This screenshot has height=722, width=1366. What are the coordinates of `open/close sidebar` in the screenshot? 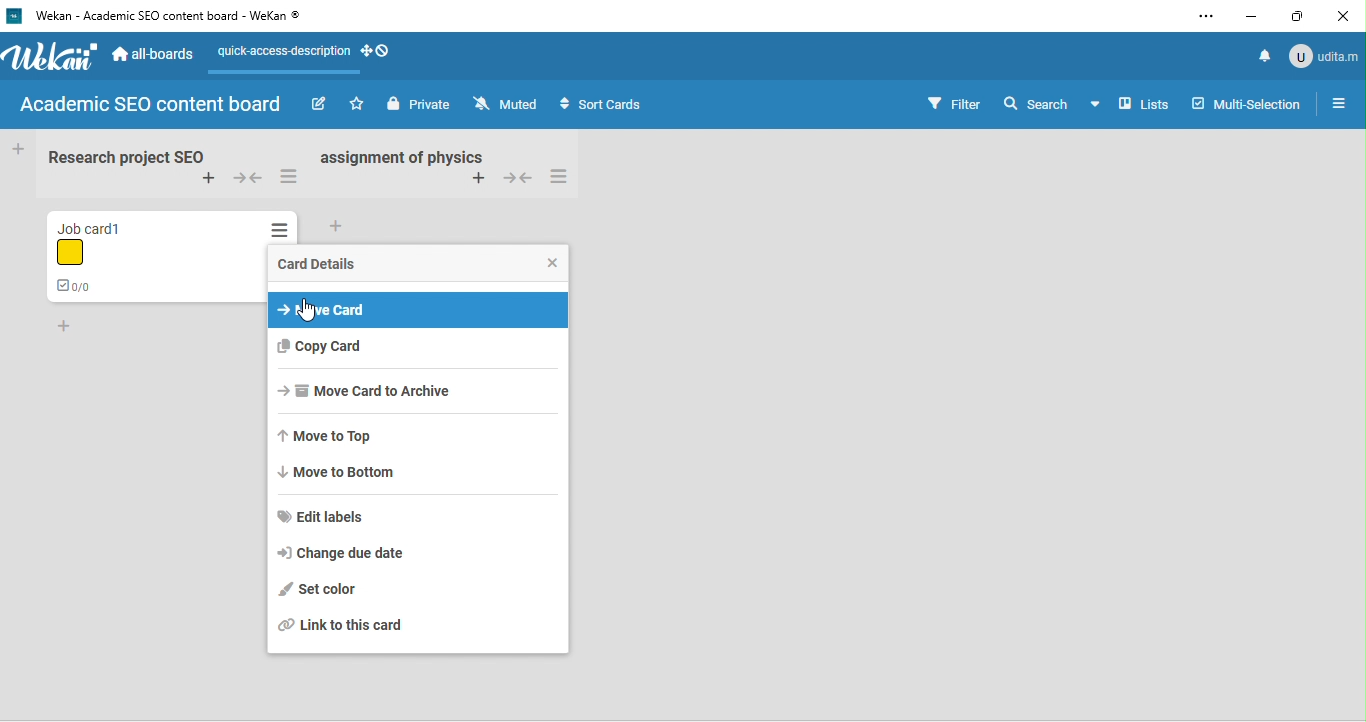 It's located at (1341, 103).